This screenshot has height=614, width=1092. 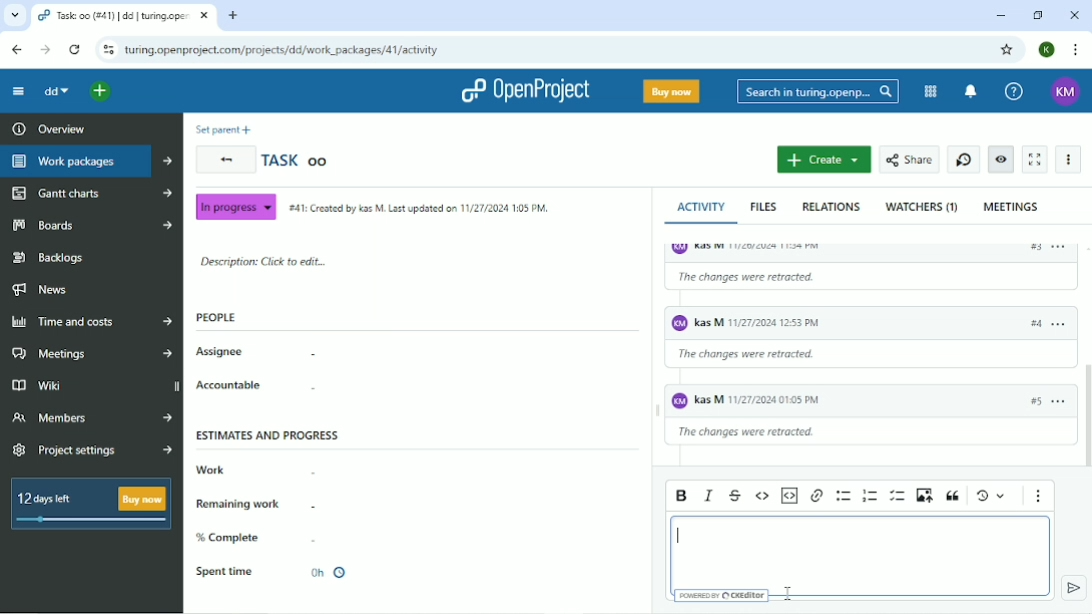 I want to click on % Complete, so click(x=269, y=537).